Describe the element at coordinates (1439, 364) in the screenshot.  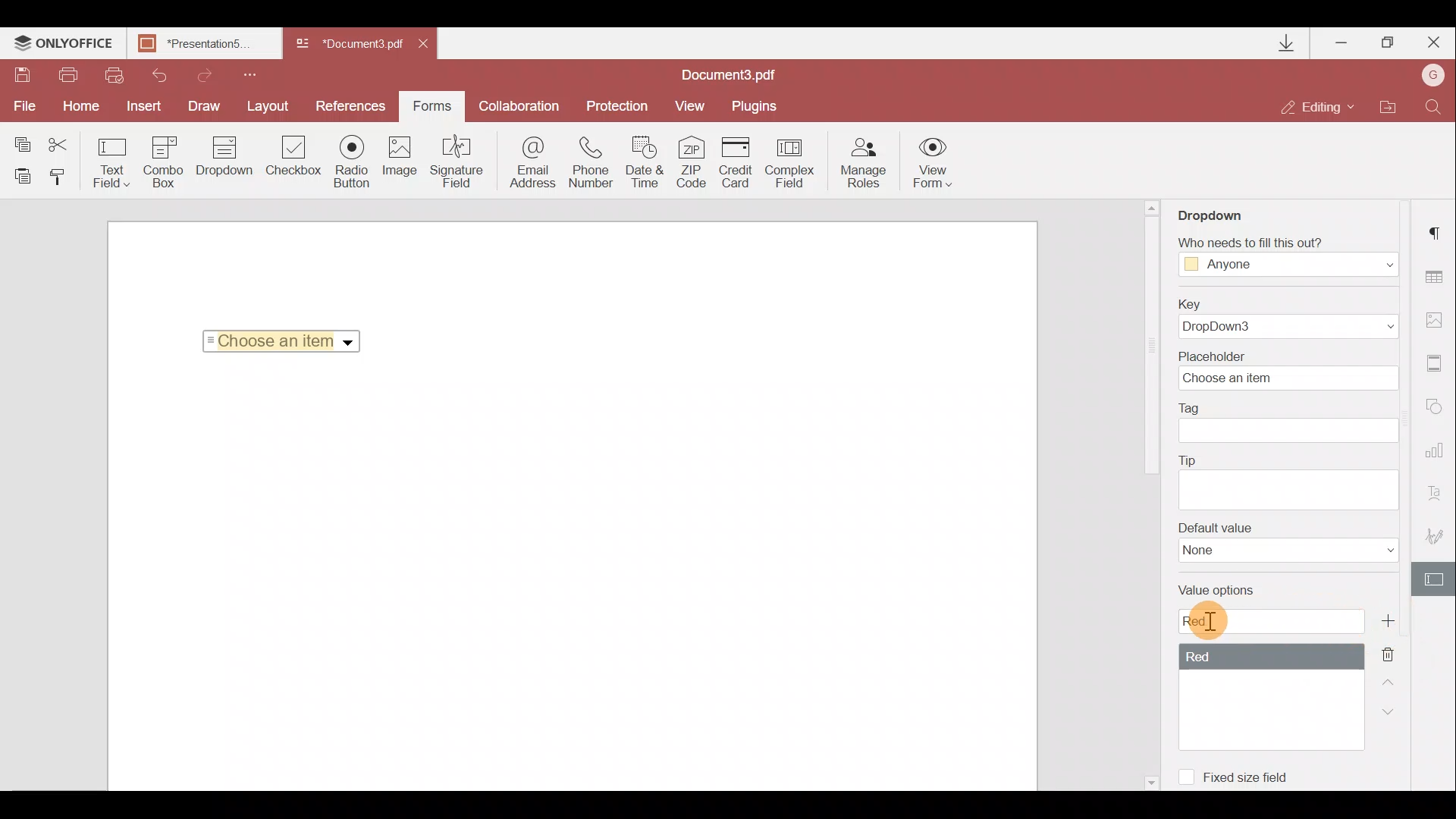
I see `Headers & footers settings` at that location.